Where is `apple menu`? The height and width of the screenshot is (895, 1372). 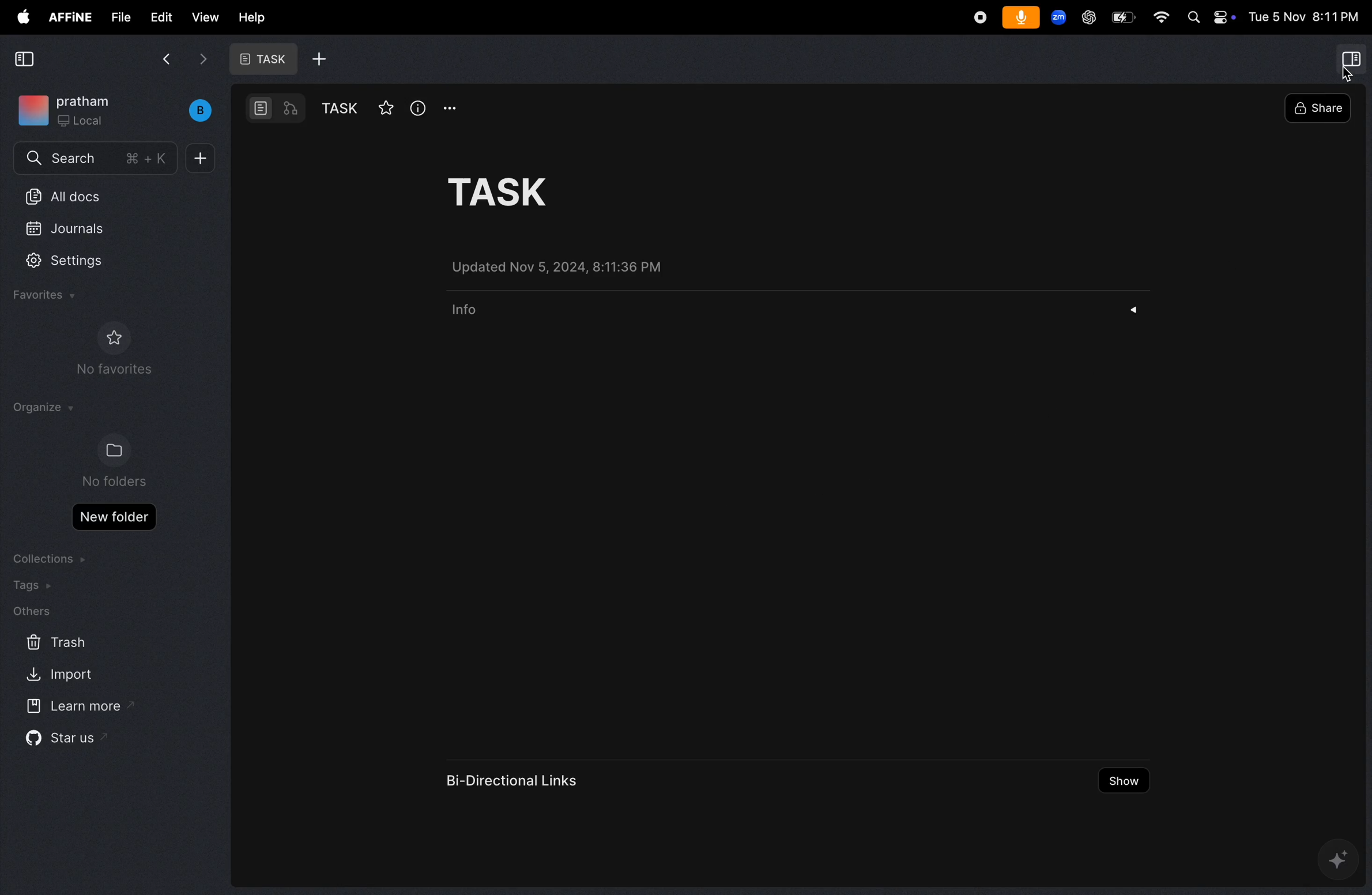 apple menu is located at coordinates (19, 17).